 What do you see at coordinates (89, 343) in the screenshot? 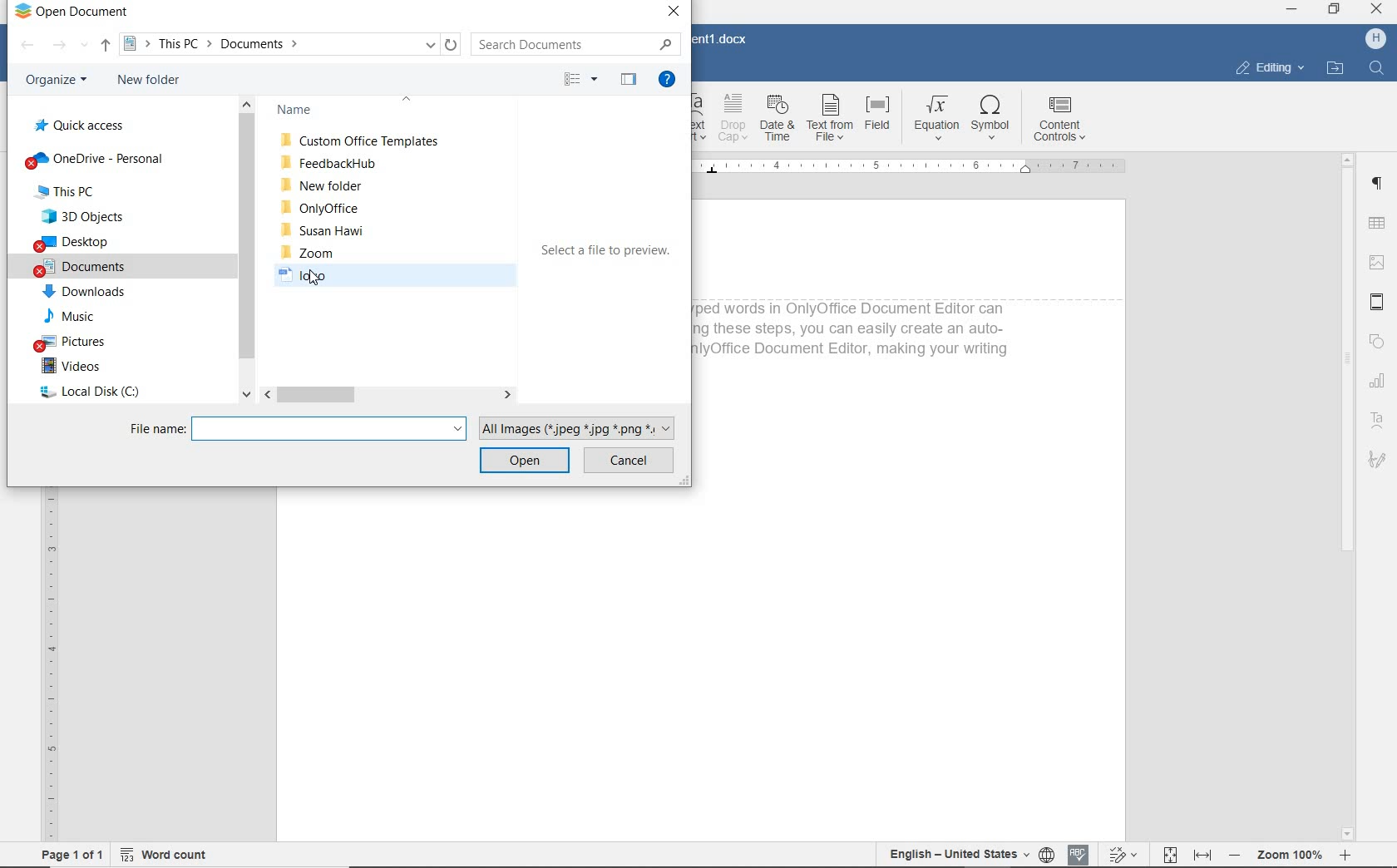
I see `PICTURES` at bounding box center [89, 343].